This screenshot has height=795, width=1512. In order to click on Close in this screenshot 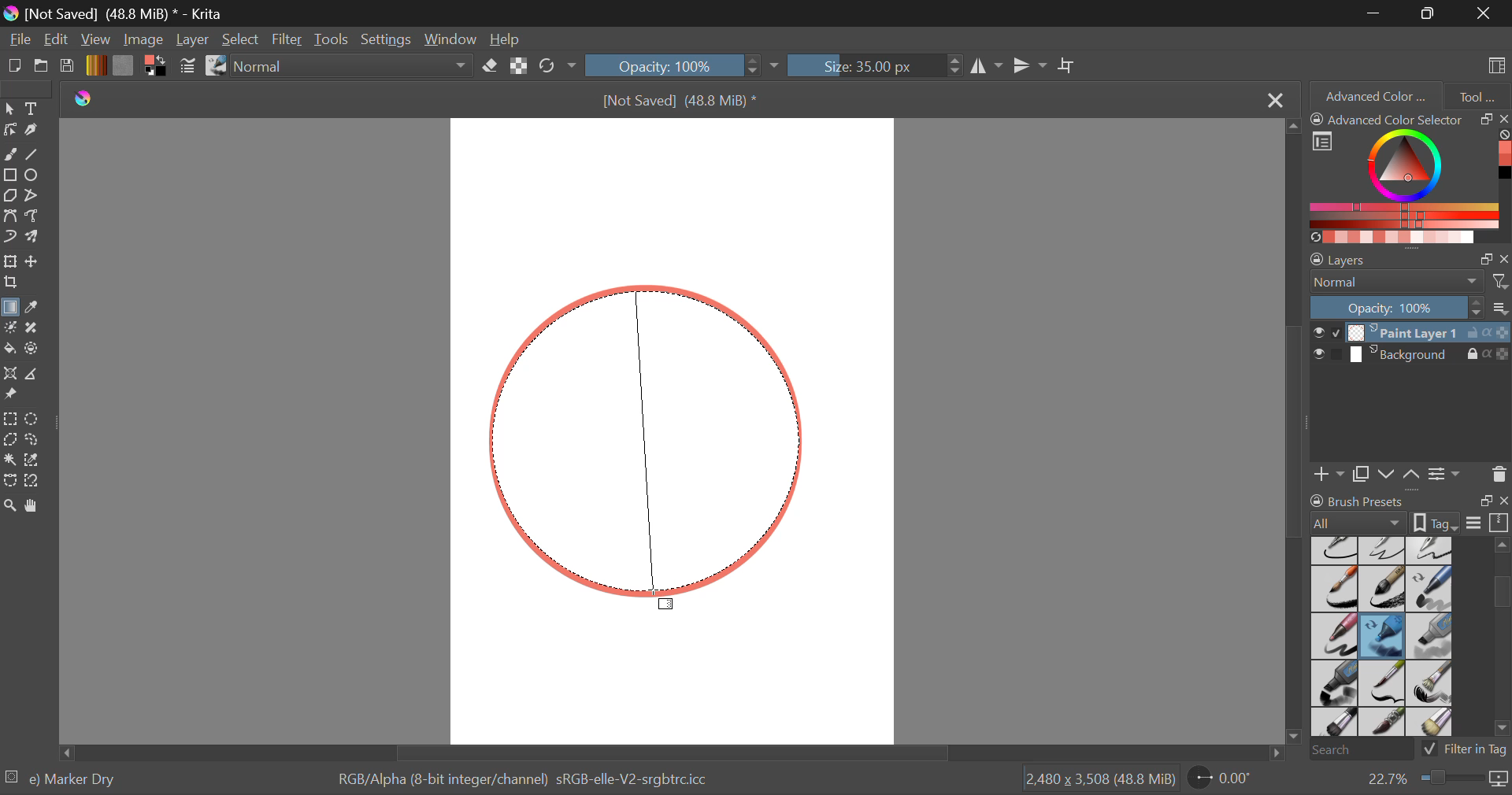, I will do `click(1484, 13)`.